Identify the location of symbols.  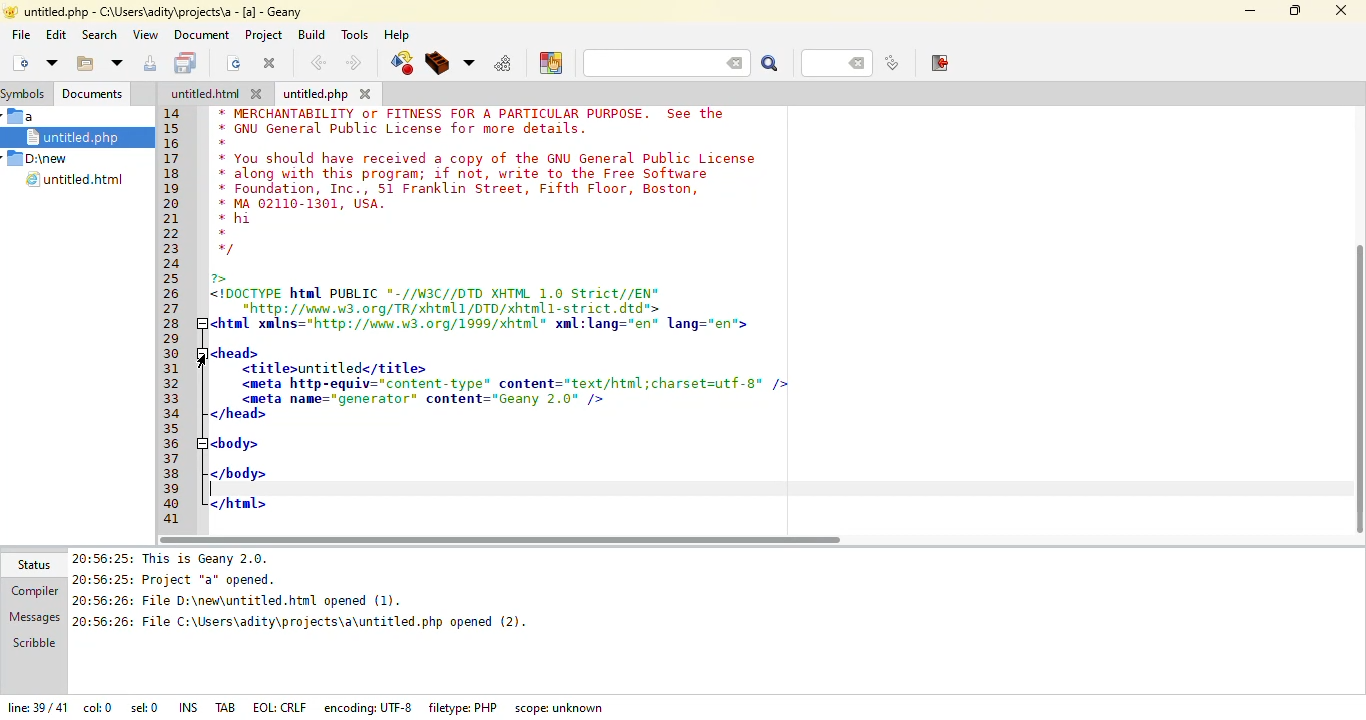
(24, 93).